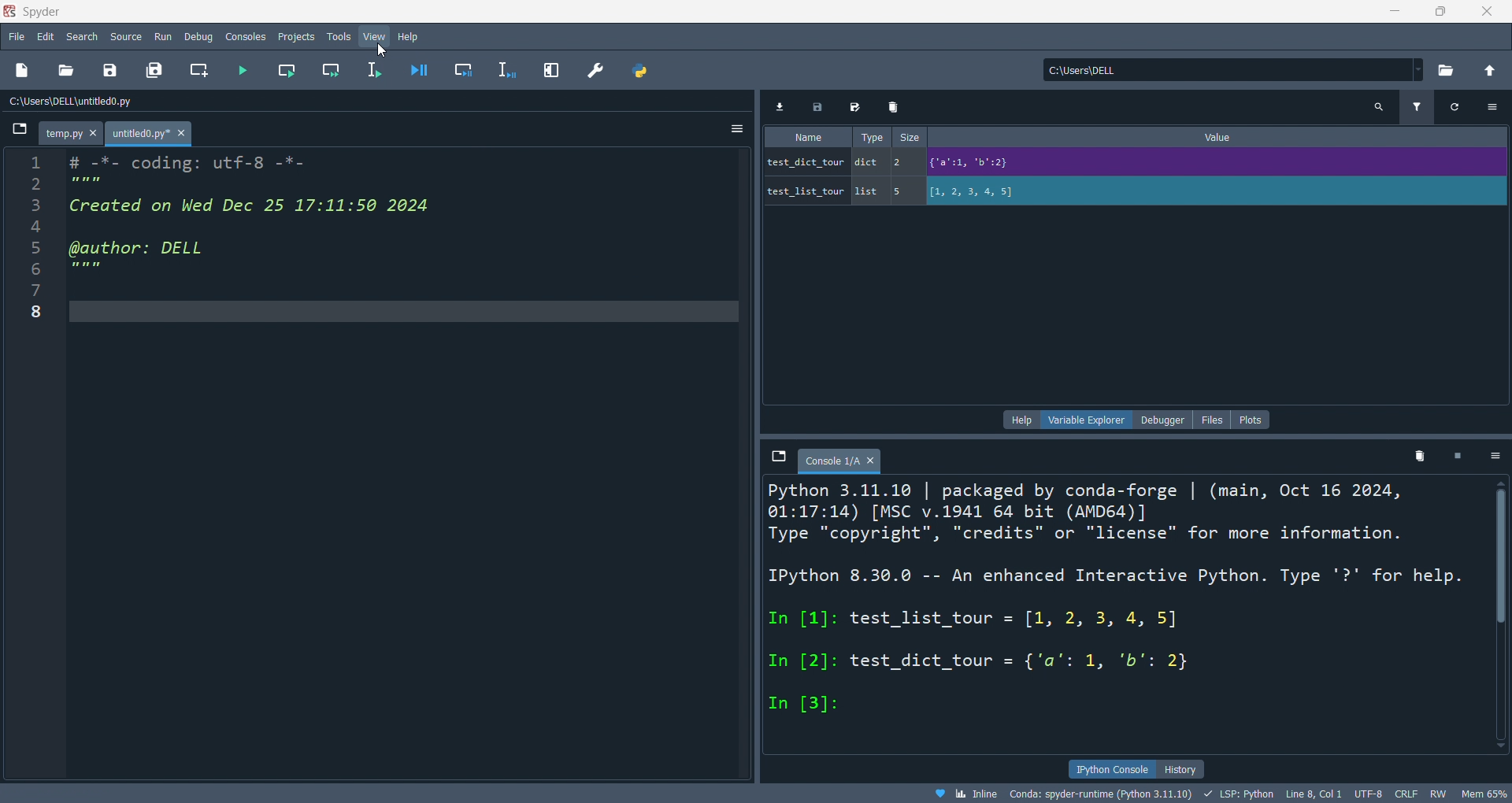 Image resolution: width=1512 pixels, height=803 pixels. Describe the element at coordinates (378, 69) in the screenshot. I see `run line` at that location.